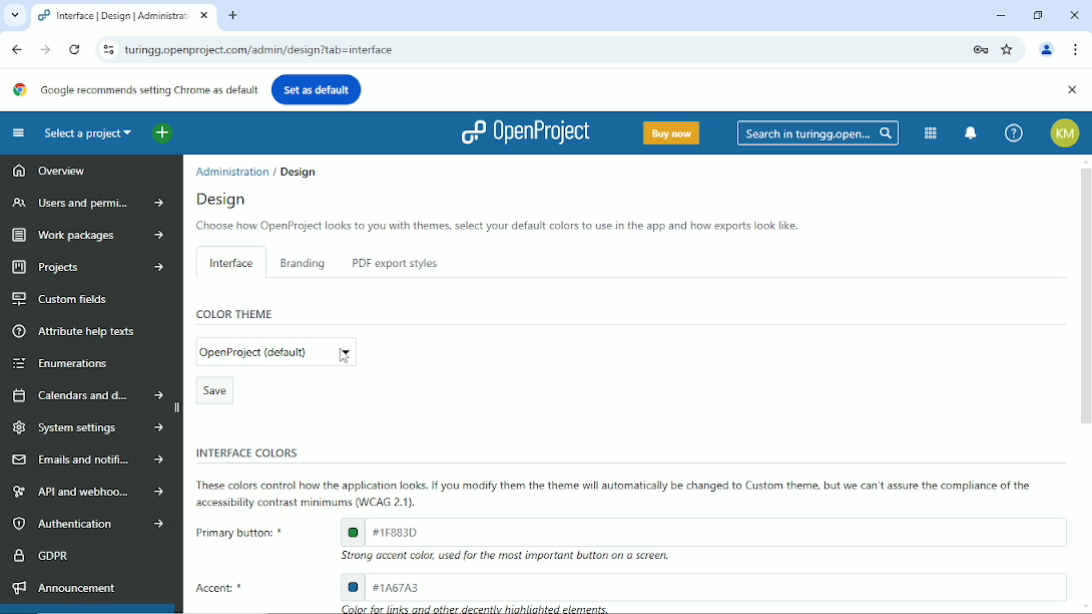 Image resolution: width=1092 pixels, height=614 pixels. What do you see at coordinates (1009, 49) in the screenshot?
I see `Bookmark this tab` at bounding box center [1009, 49].